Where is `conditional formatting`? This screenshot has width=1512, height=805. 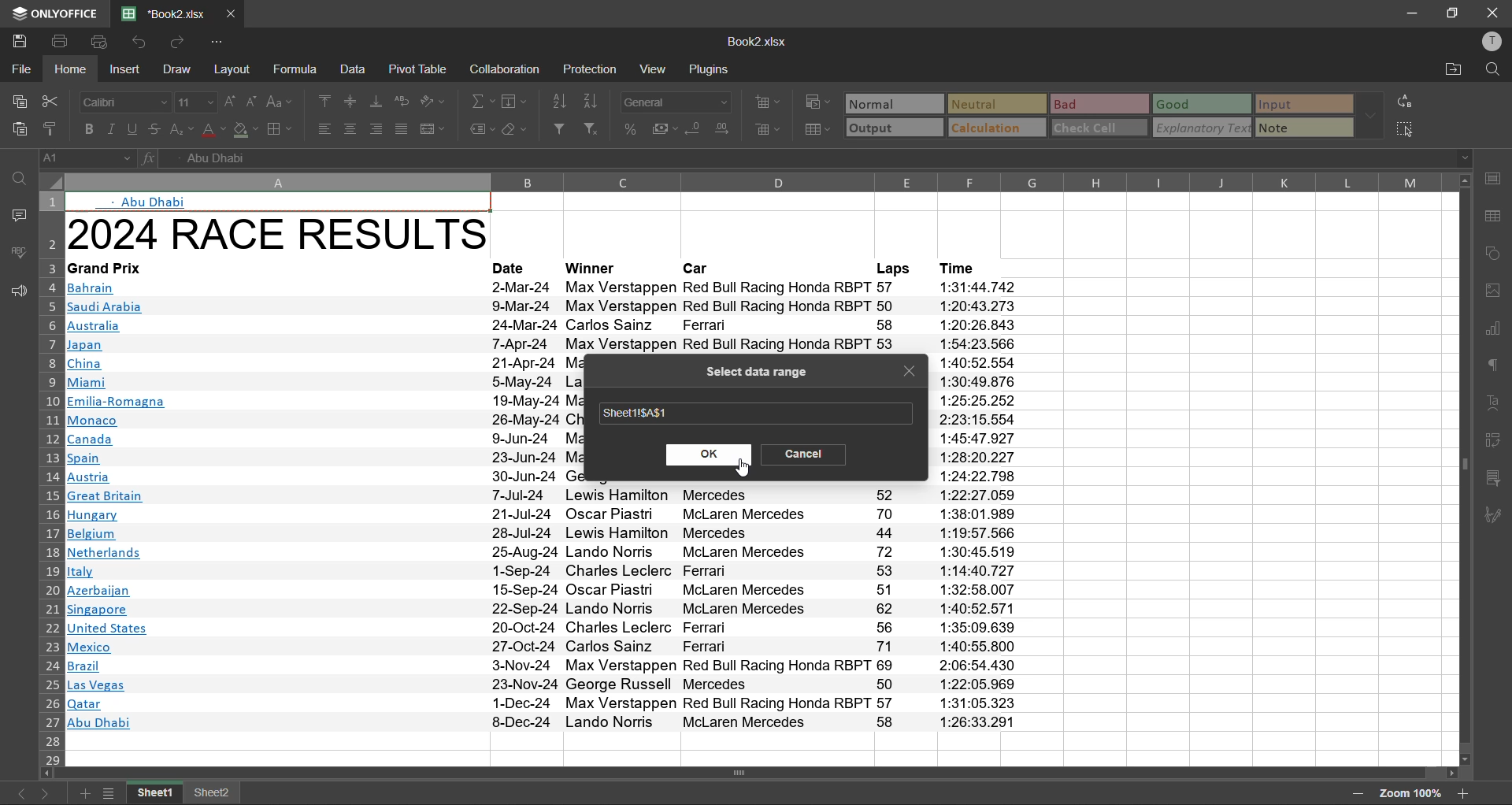
conditional formatting is located at coordinates (815, 102).